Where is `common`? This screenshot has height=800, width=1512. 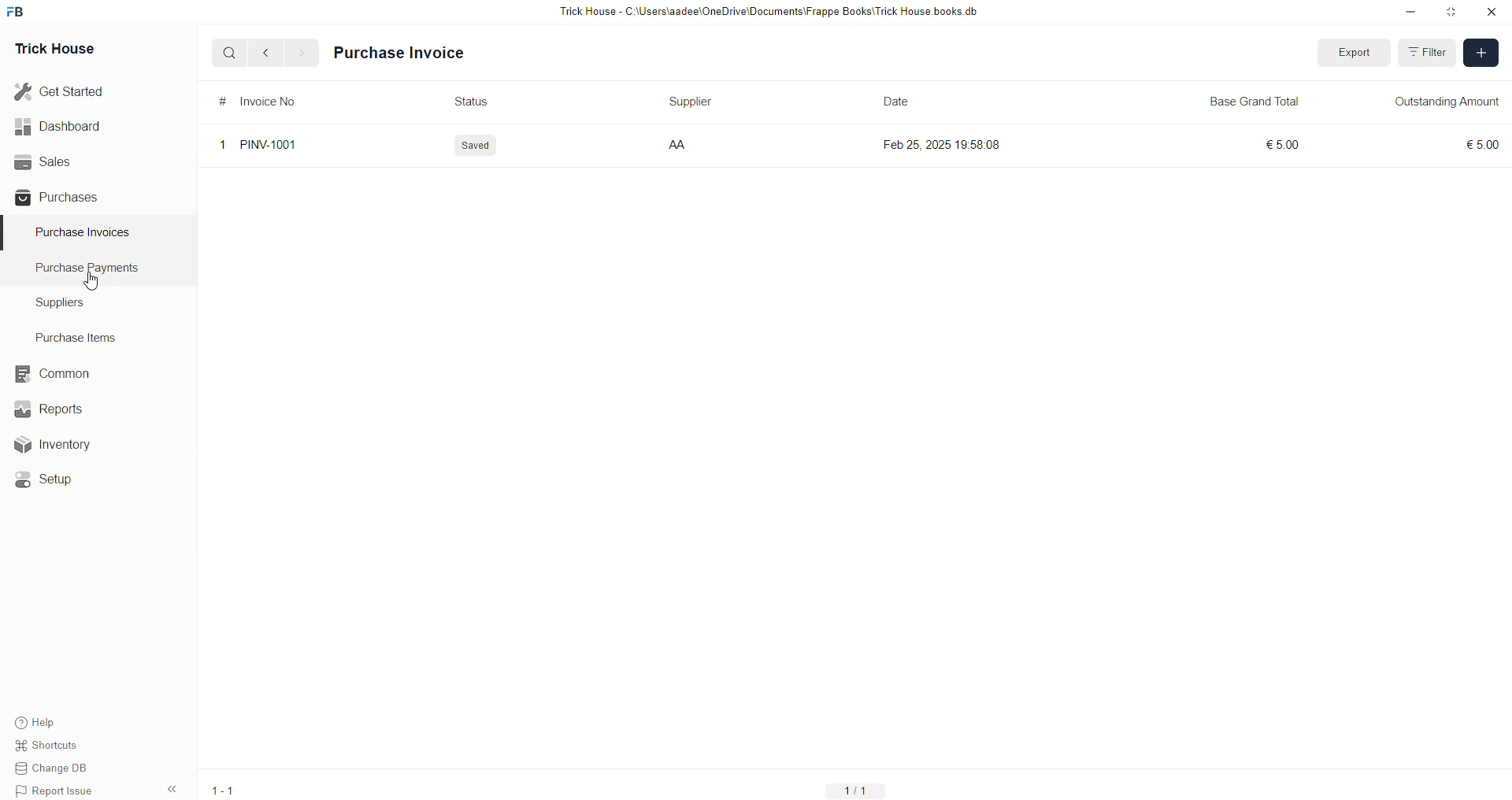 common is located at coordinates (55, 374).